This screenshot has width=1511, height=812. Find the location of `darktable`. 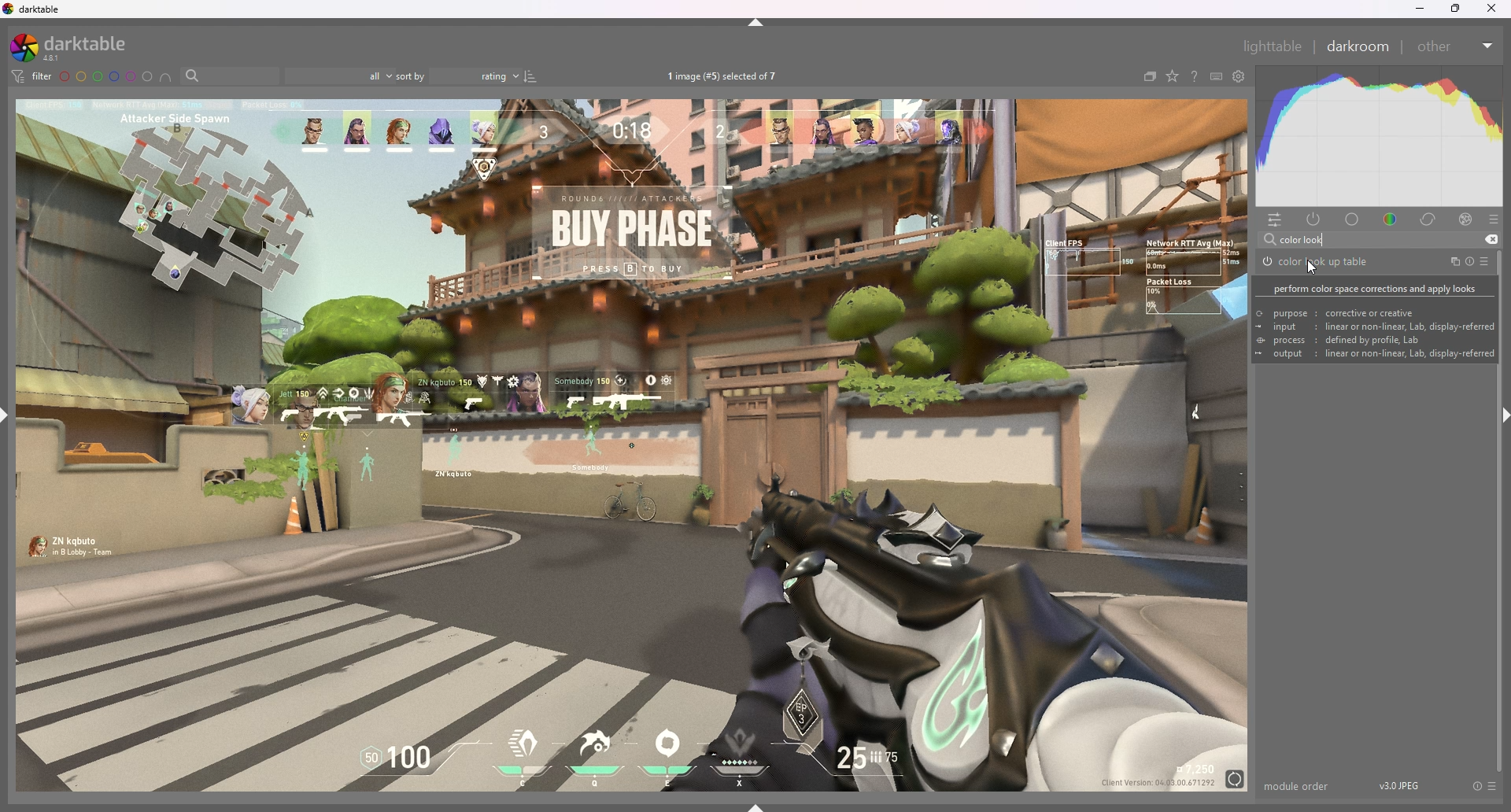

darktable is located at coordinates (75, 46).